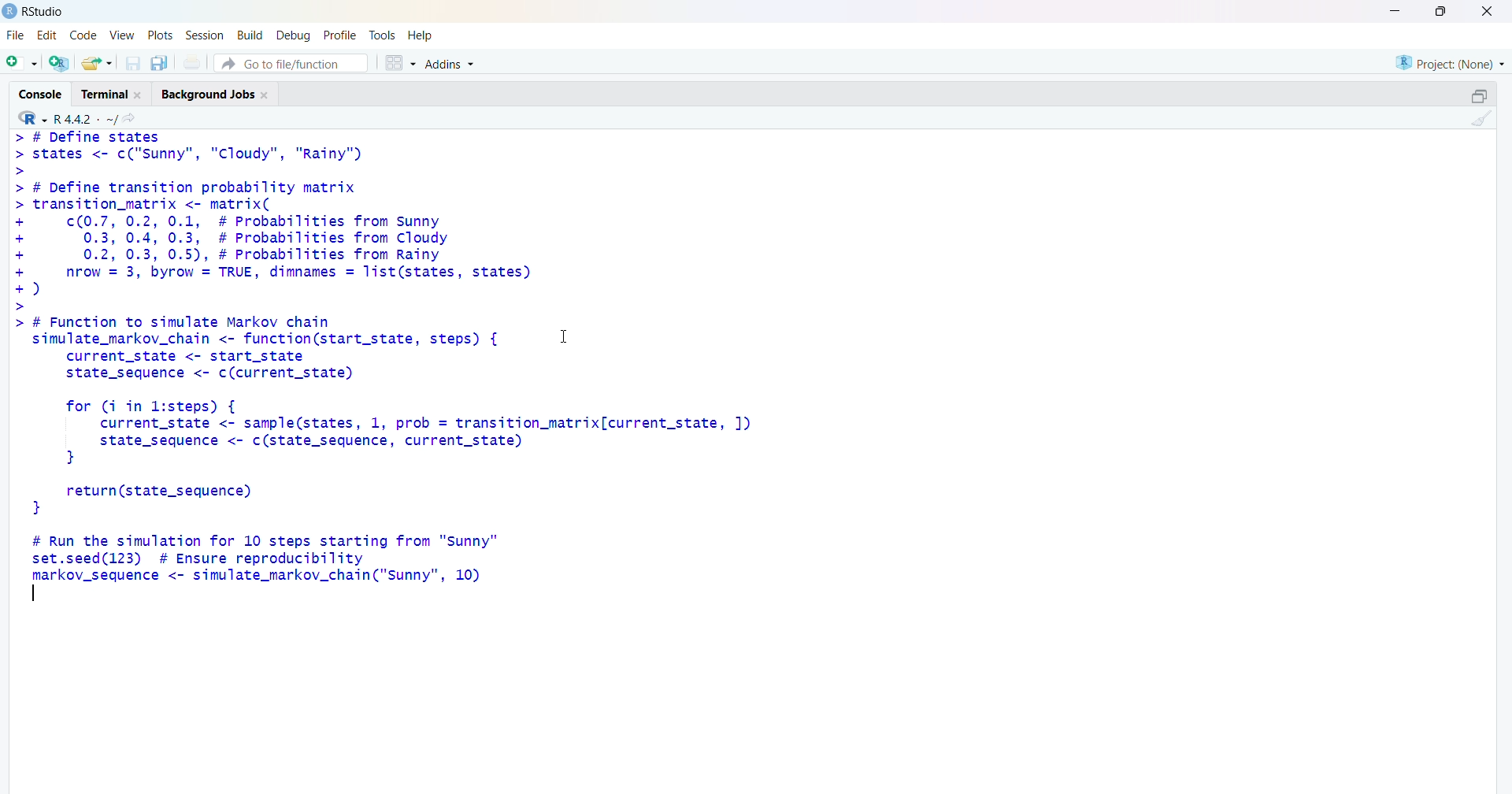  Describe the element at coordinates (1487, 12) in the screenshot. I see `close` at that location.